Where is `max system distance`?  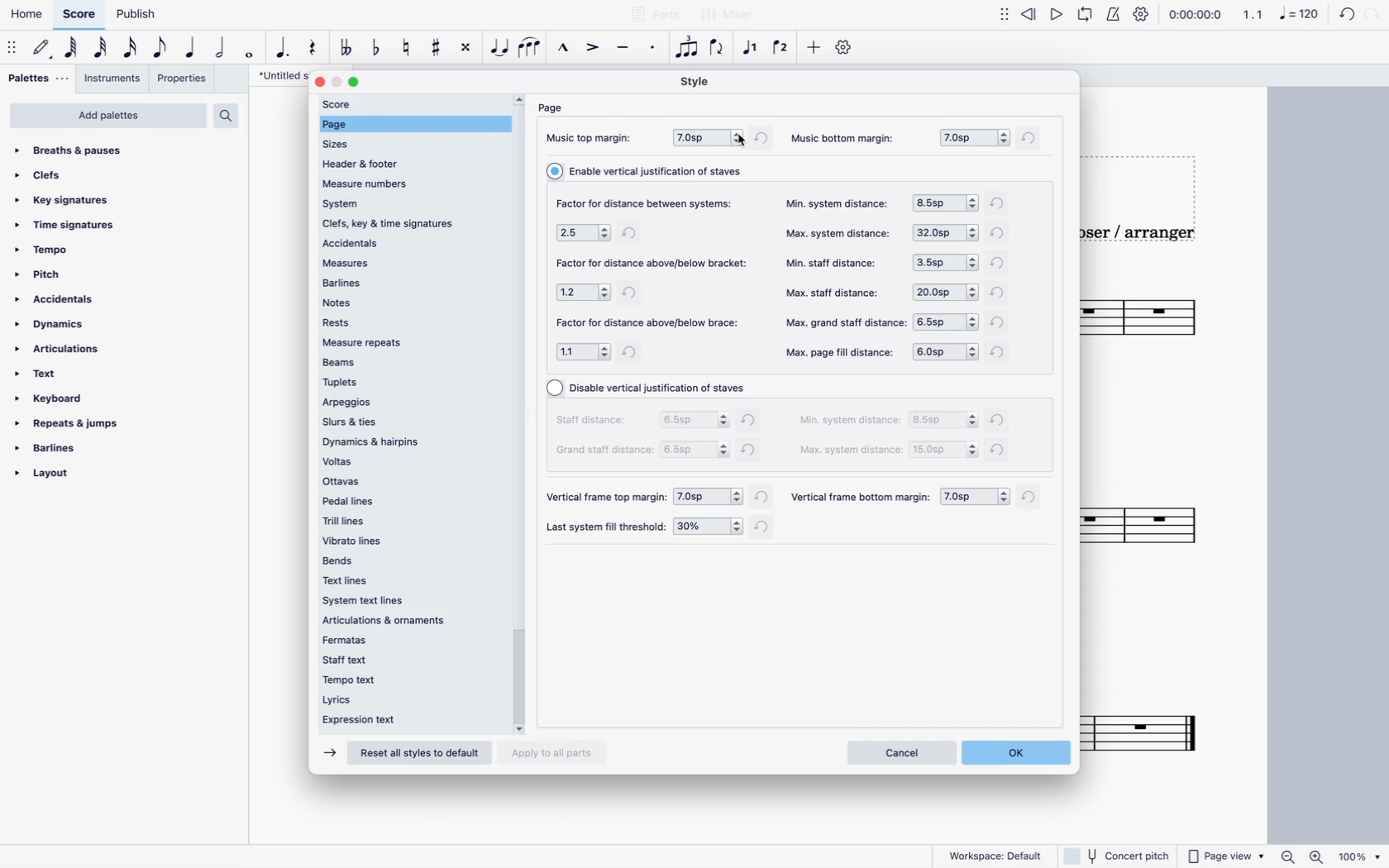 max system distance is located at coordinates (851, 451).